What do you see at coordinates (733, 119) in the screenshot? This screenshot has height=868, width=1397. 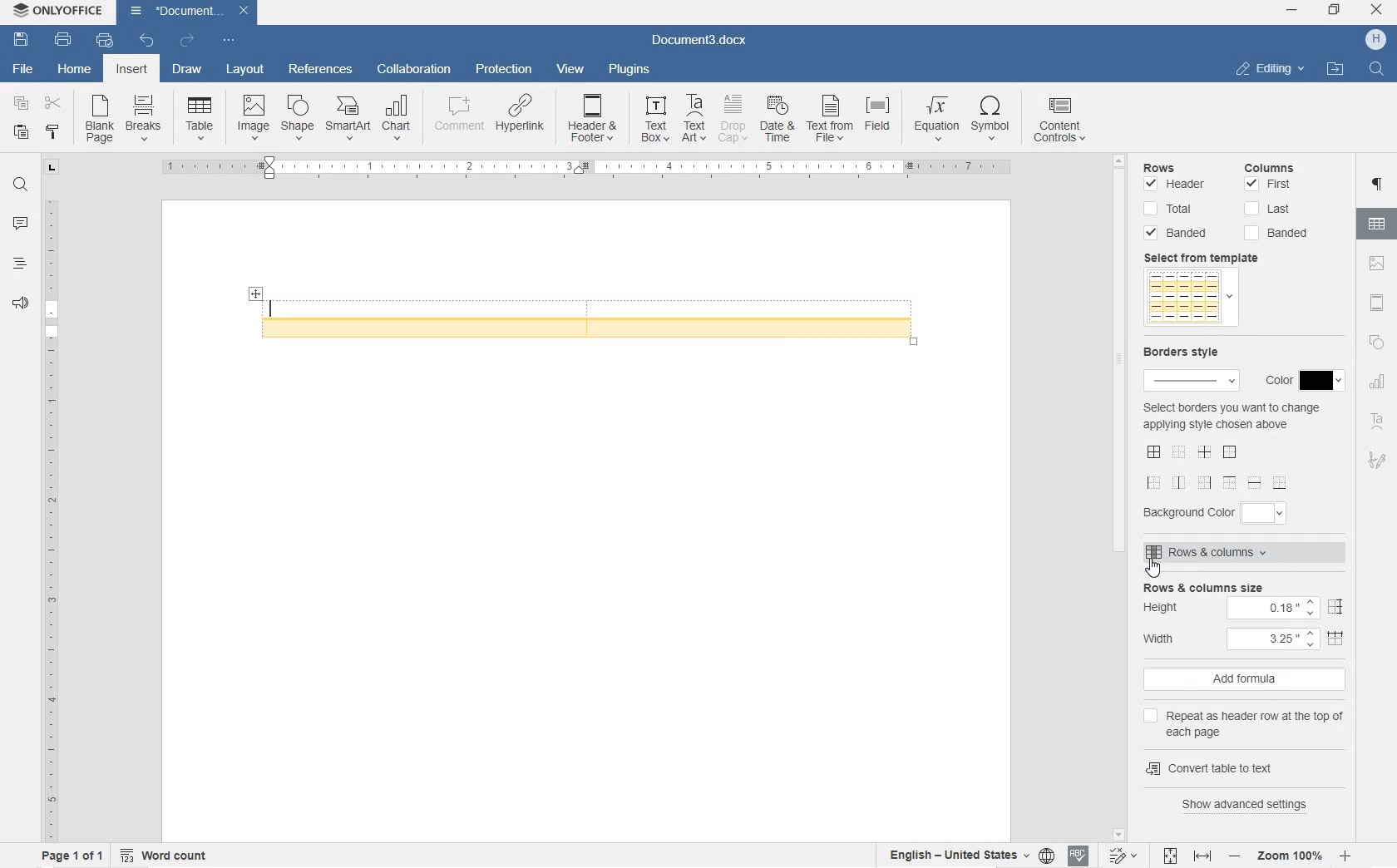 I see `Drop Cap` at bounding box center [733, 119].